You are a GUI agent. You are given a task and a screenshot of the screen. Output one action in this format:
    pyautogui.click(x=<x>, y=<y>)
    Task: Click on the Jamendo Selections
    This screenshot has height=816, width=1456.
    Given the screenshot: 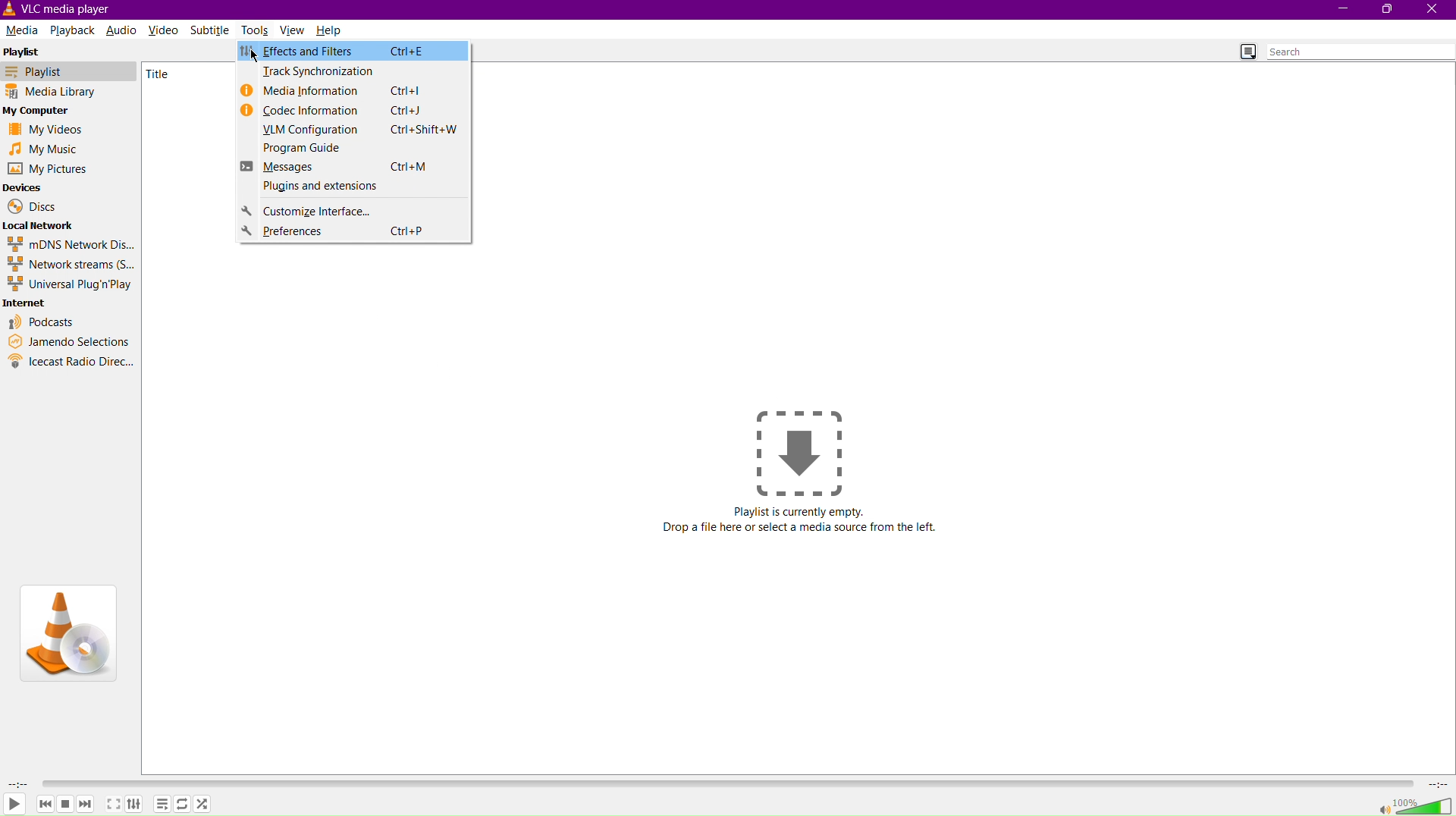 What is the action you would take?
    pyautogui.click(x=70, y=341)
    